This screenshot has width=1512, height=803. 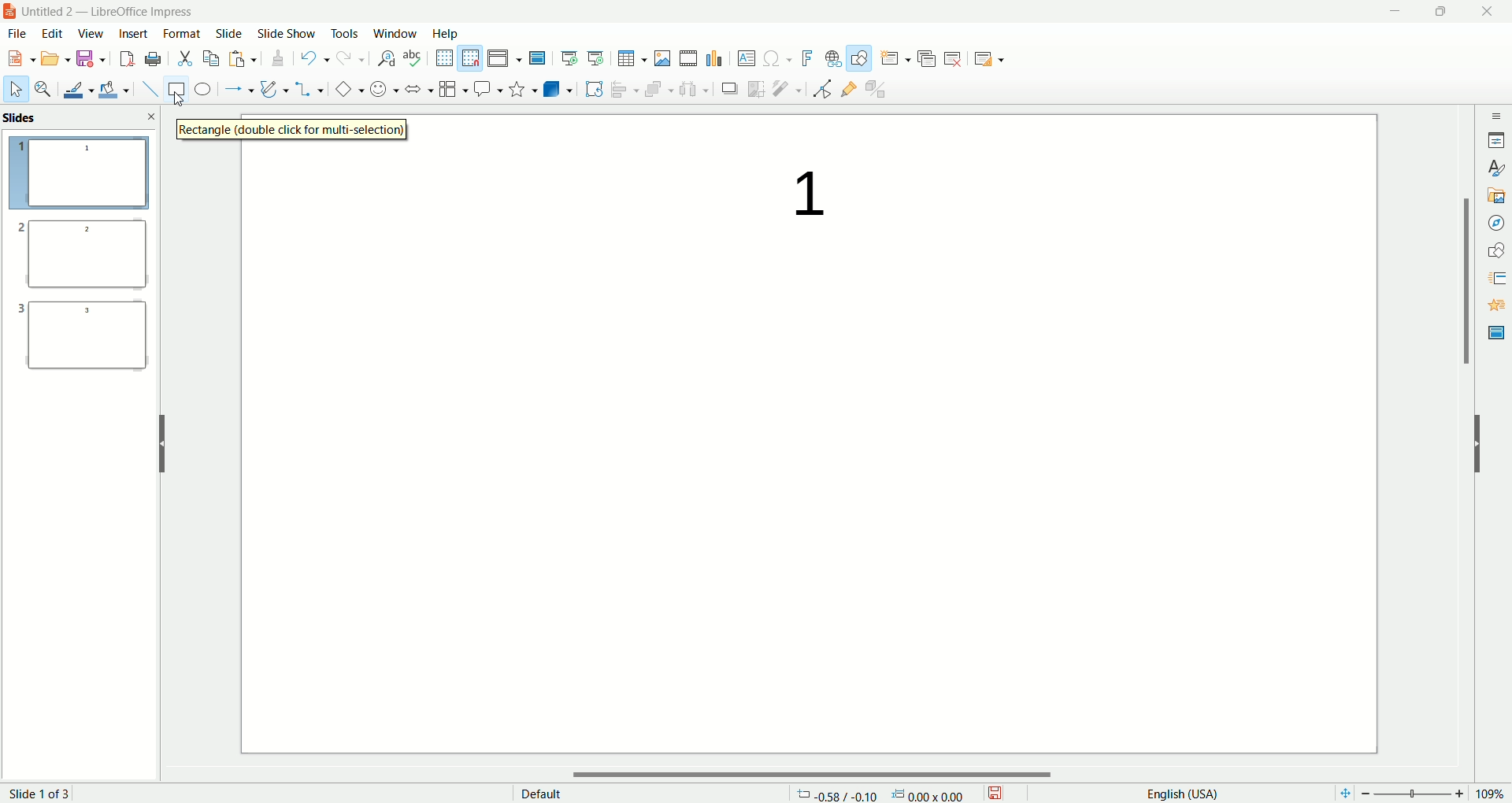 I want to click on symbol shapes, so click(x=381, y=90).